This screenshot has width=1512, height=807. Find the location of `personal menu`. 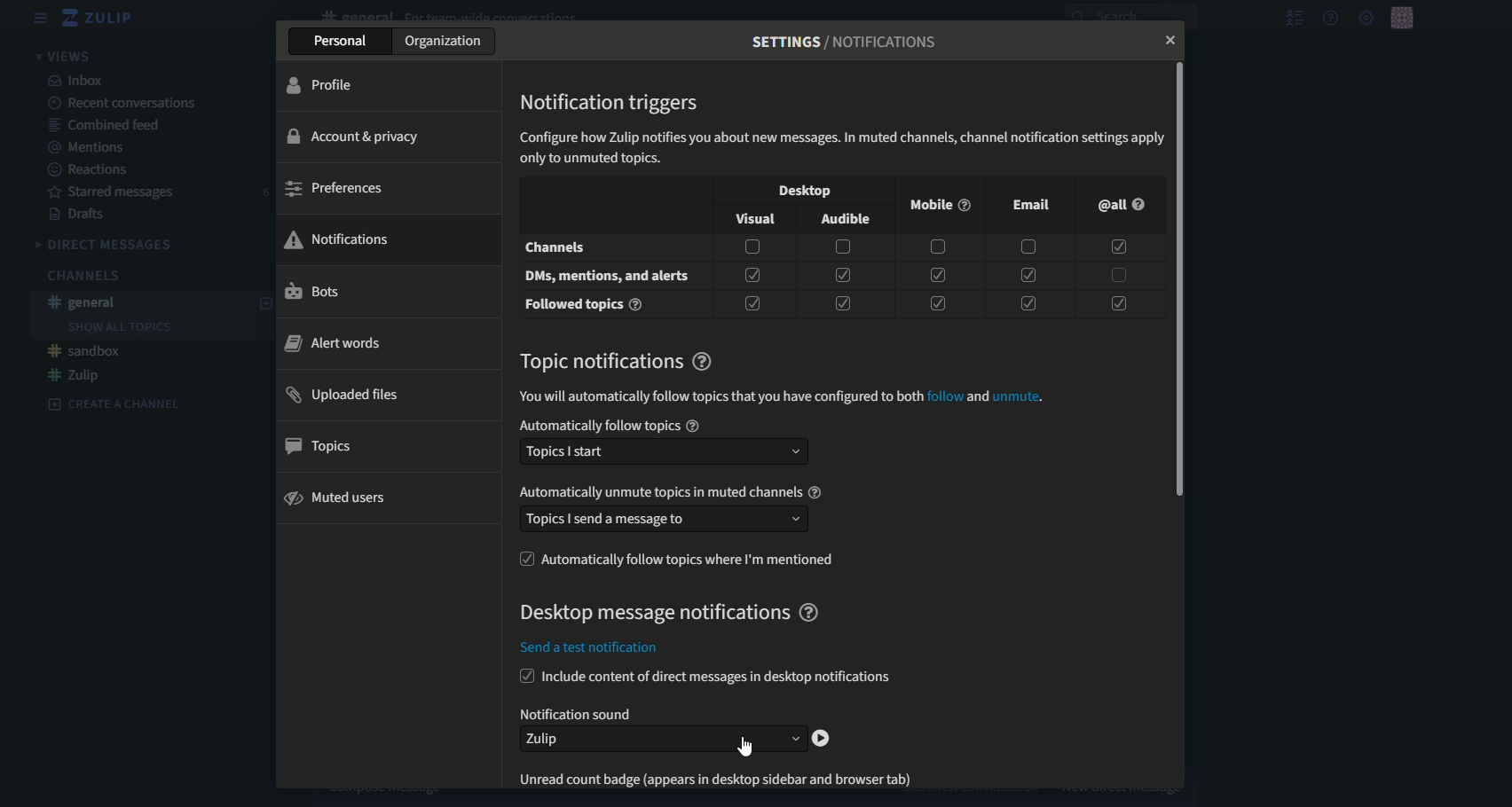

personal menu is located at coordinates (1404, 17).